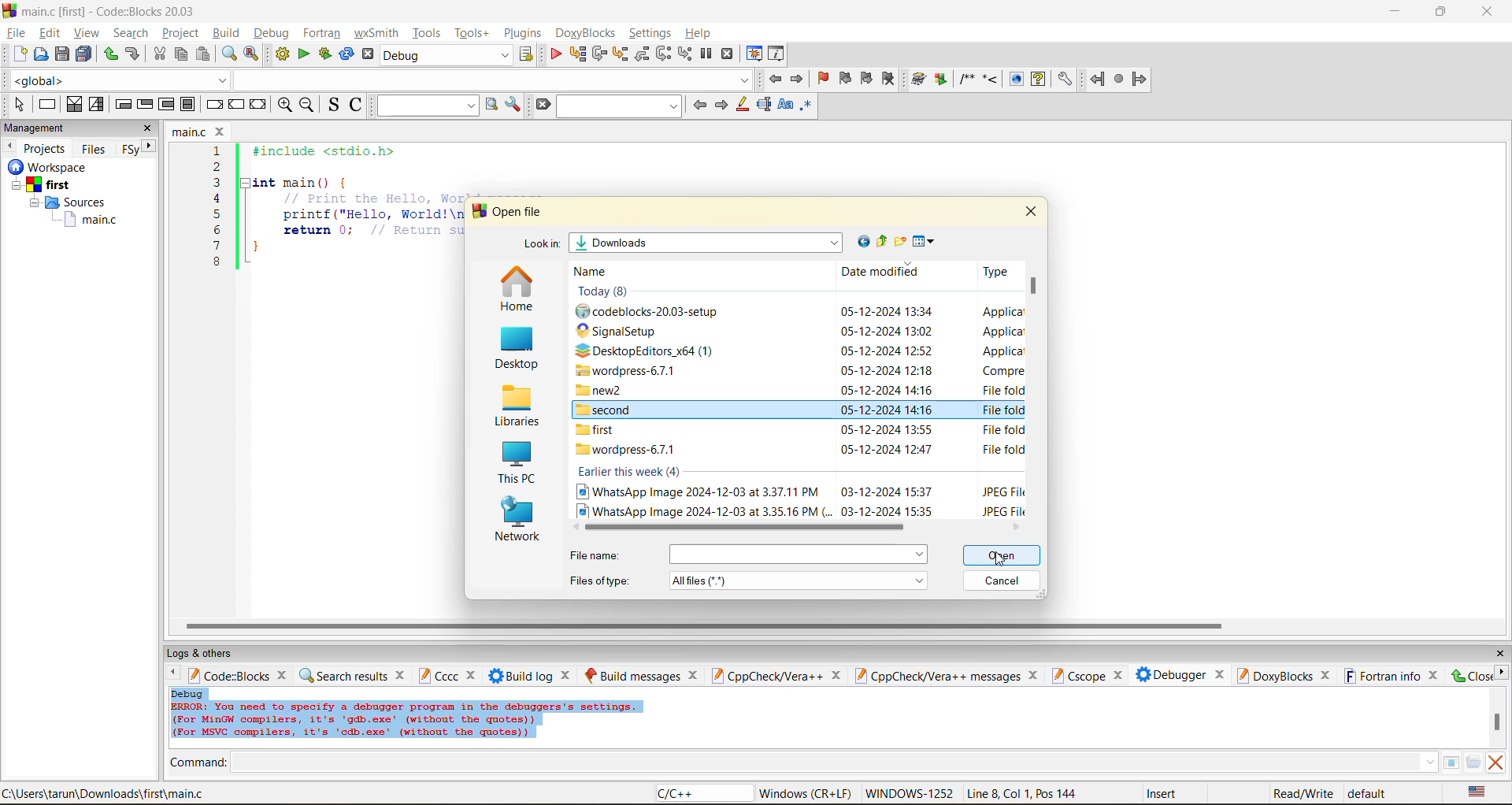 Image resolution: width=1512 pixels, height=805 pixels. Describe the element at coordinates (700, 33) in the screenshot. I see `help` at that location.